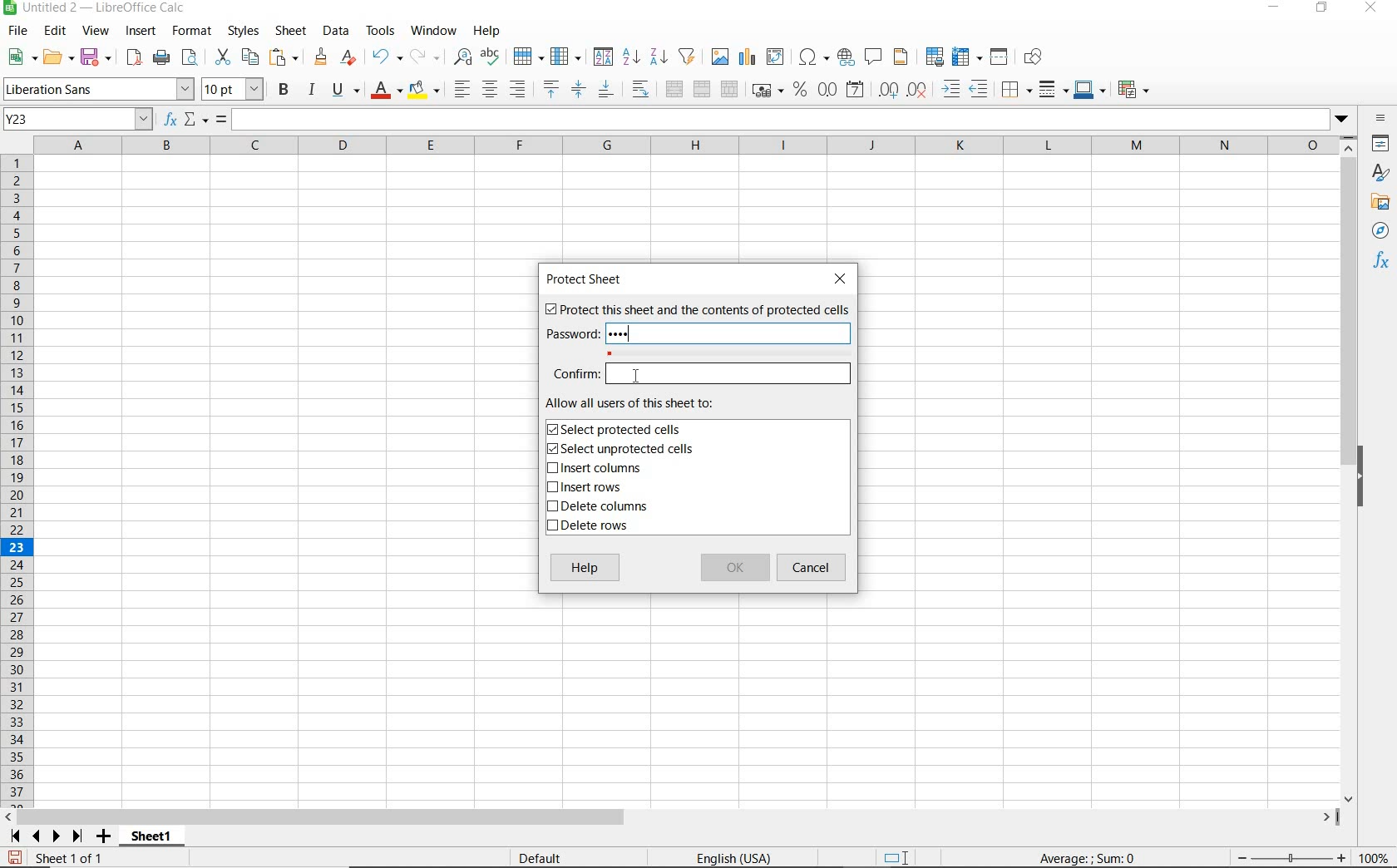 Image resolution: width=1397 pixels, height=868 pixels. Describe the element at coordinates (490, 91) in the screenshot. I see `ALIGN CENTER` at that location.